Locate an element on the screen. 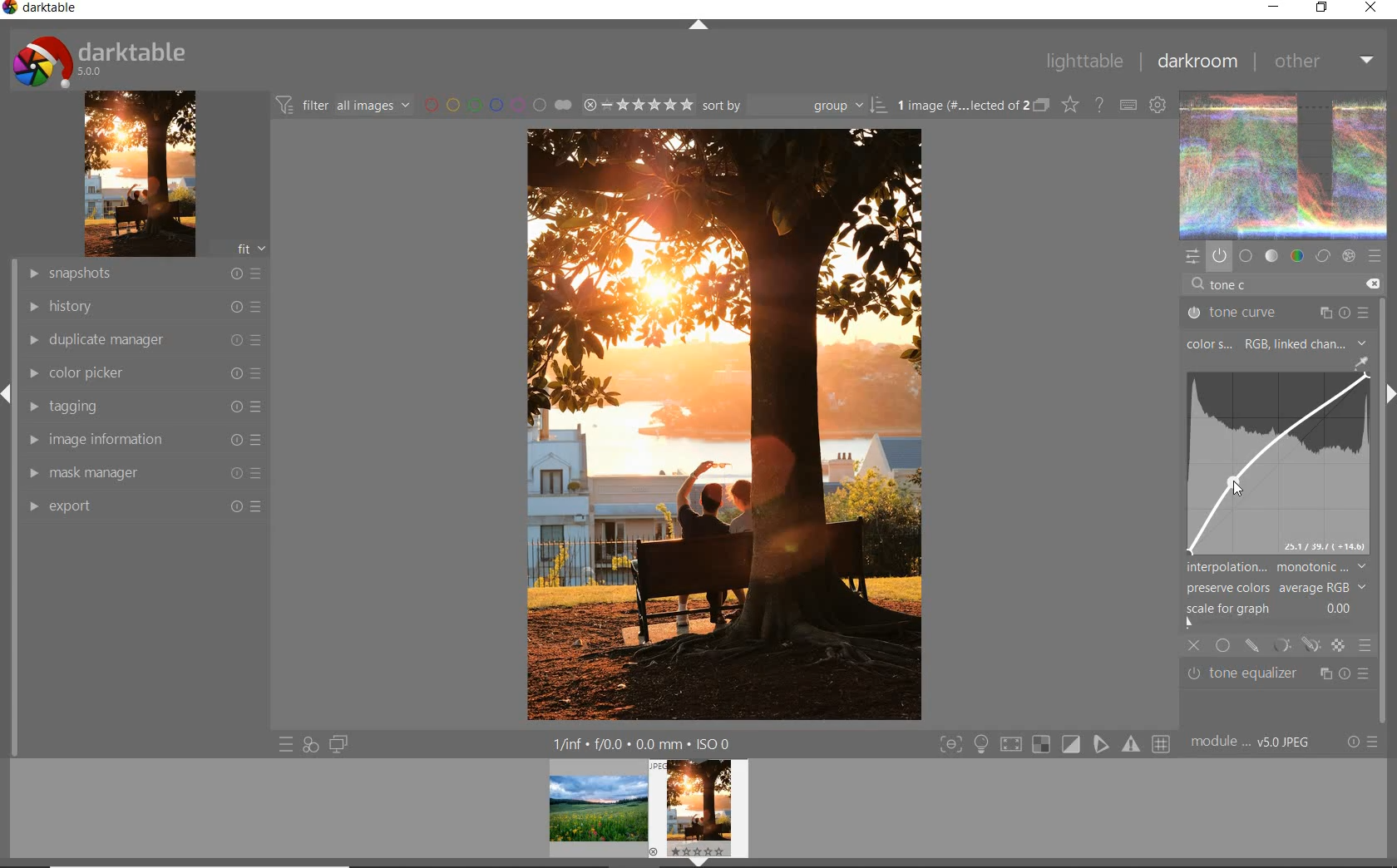 The image size is (1397, 868). color picker is located at coordinates (140, 372).